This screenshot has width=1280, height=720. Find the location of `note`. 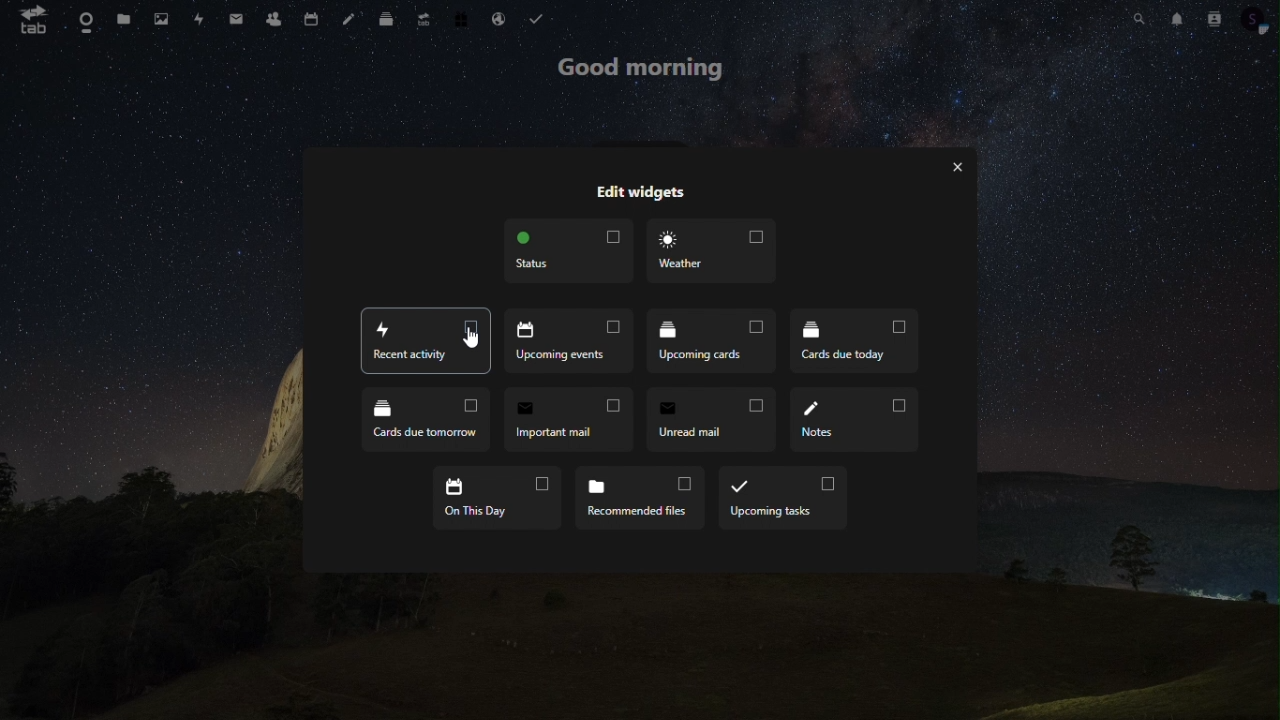

note is located at coordinates (349, 17).